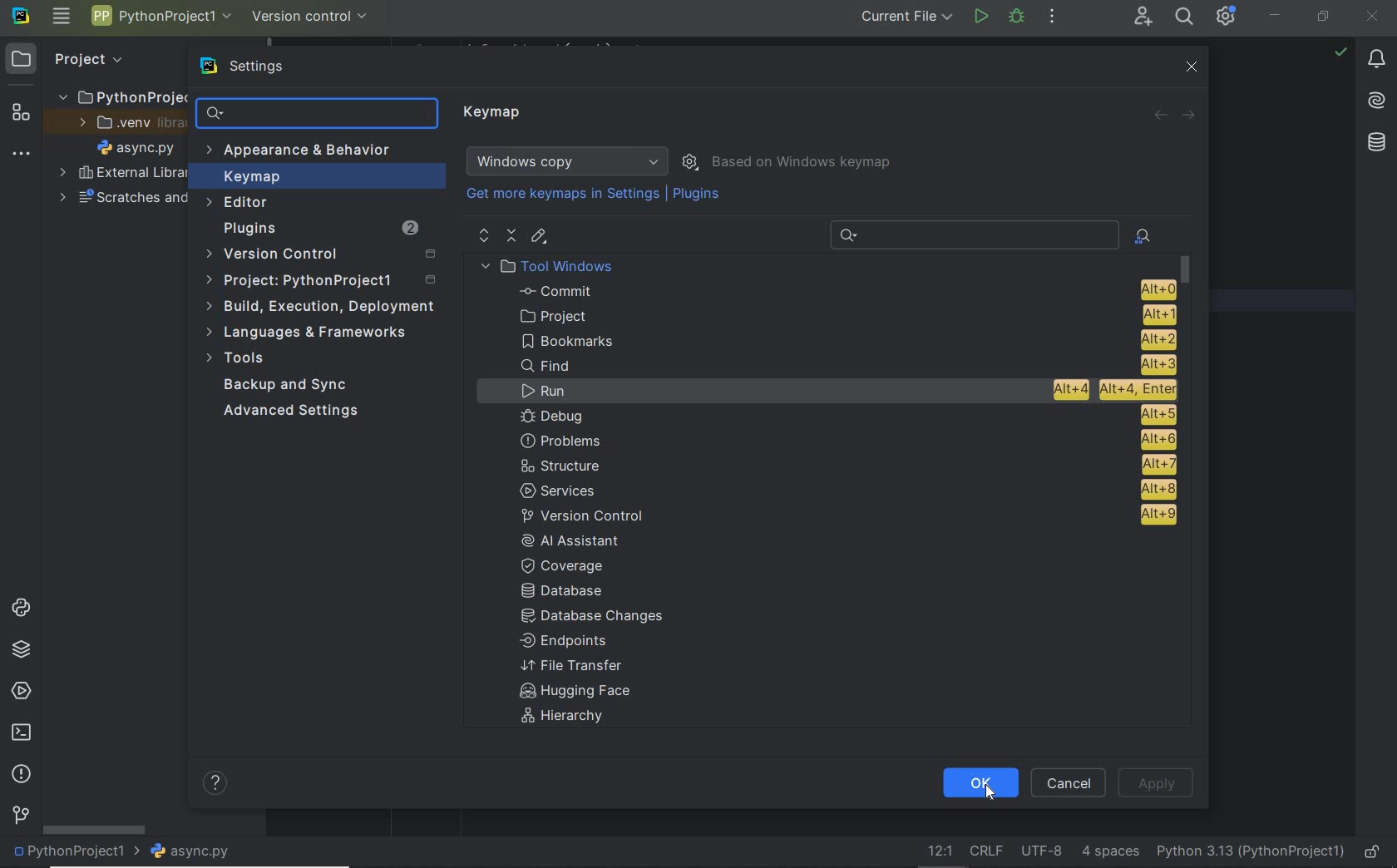 The width and height of the screenshot is (1397, 868). What do you see at coordinates (511, 236) in the screenshot?
I see `collapse all` at bounding box center [511, 236].